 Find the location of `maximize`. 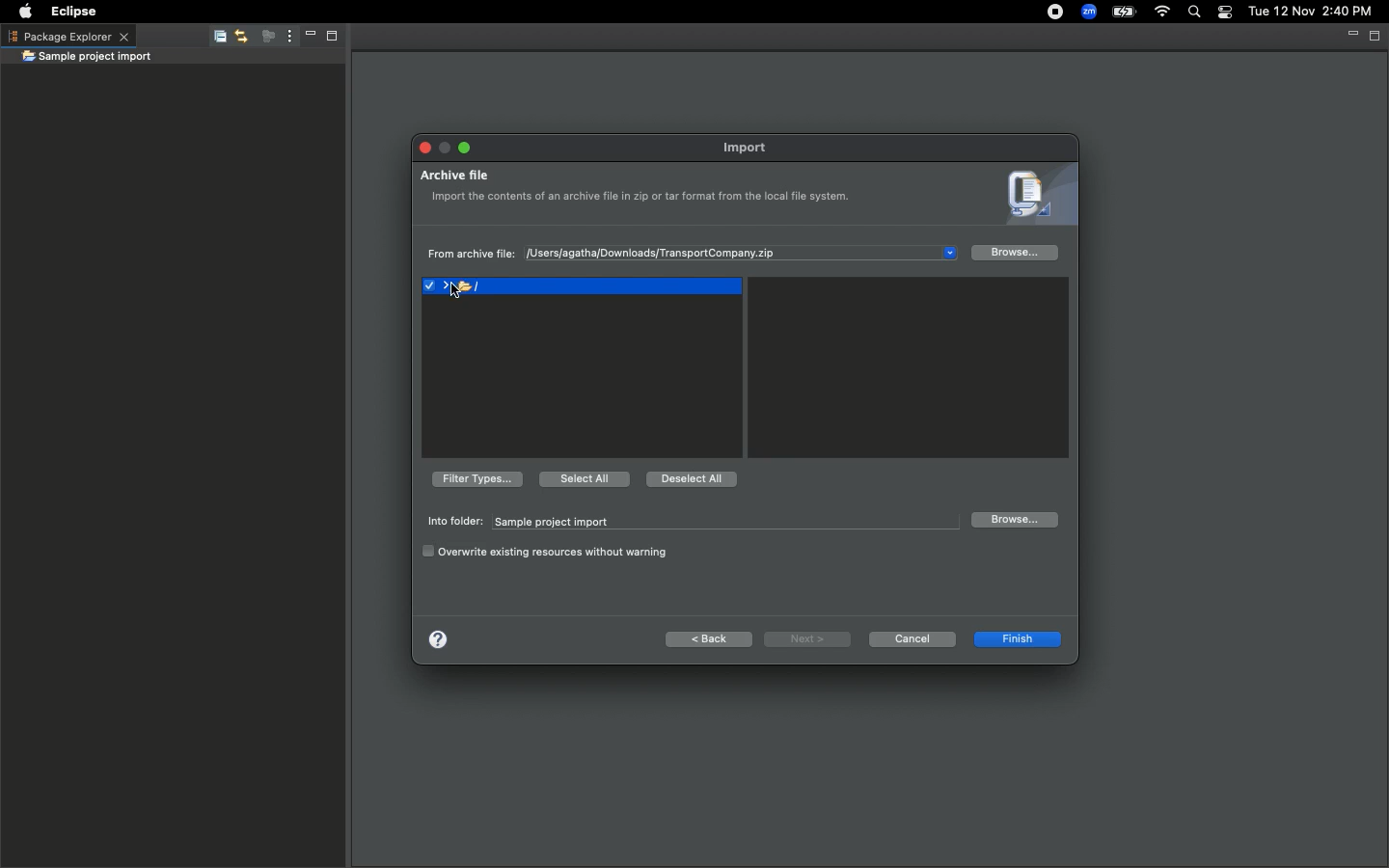

maximize is located at coordinates (464, 146).